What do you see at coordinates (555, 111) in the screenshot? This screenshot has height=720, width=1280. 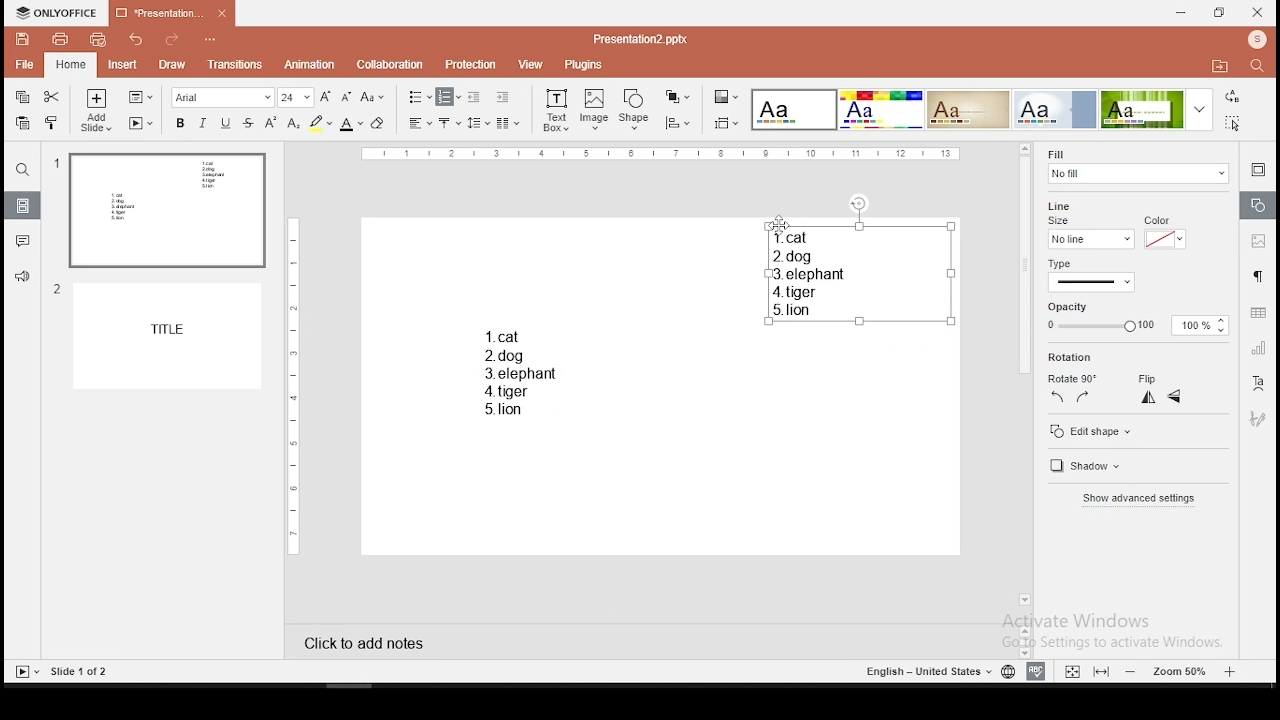 I see `text box` at bounding box center [555, 111].